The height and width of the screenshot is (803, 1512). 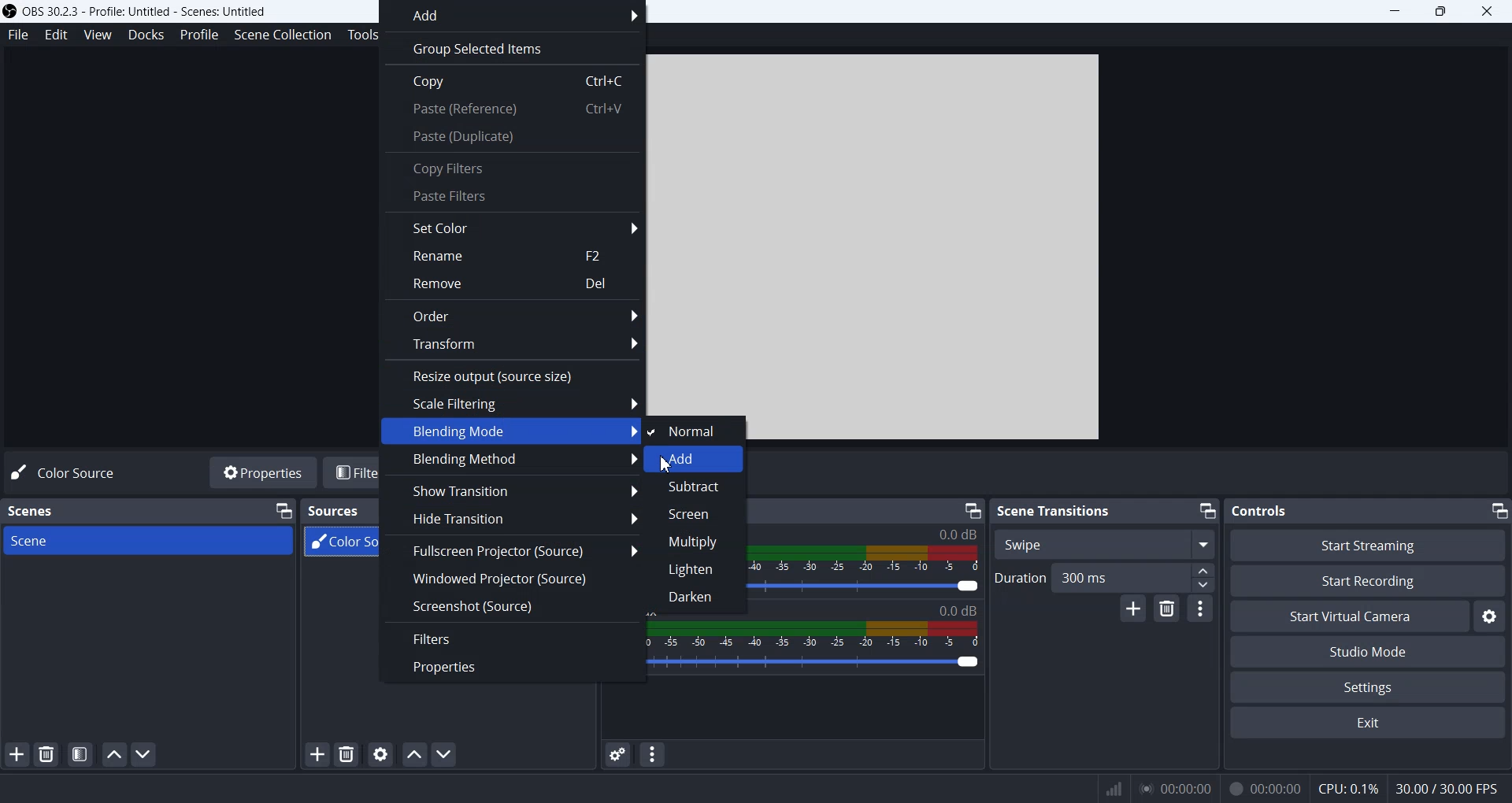 What do you see at coordinates (1134, 577) in the screenshot?
I see `300 ms` at bounding box center [1134, 577].